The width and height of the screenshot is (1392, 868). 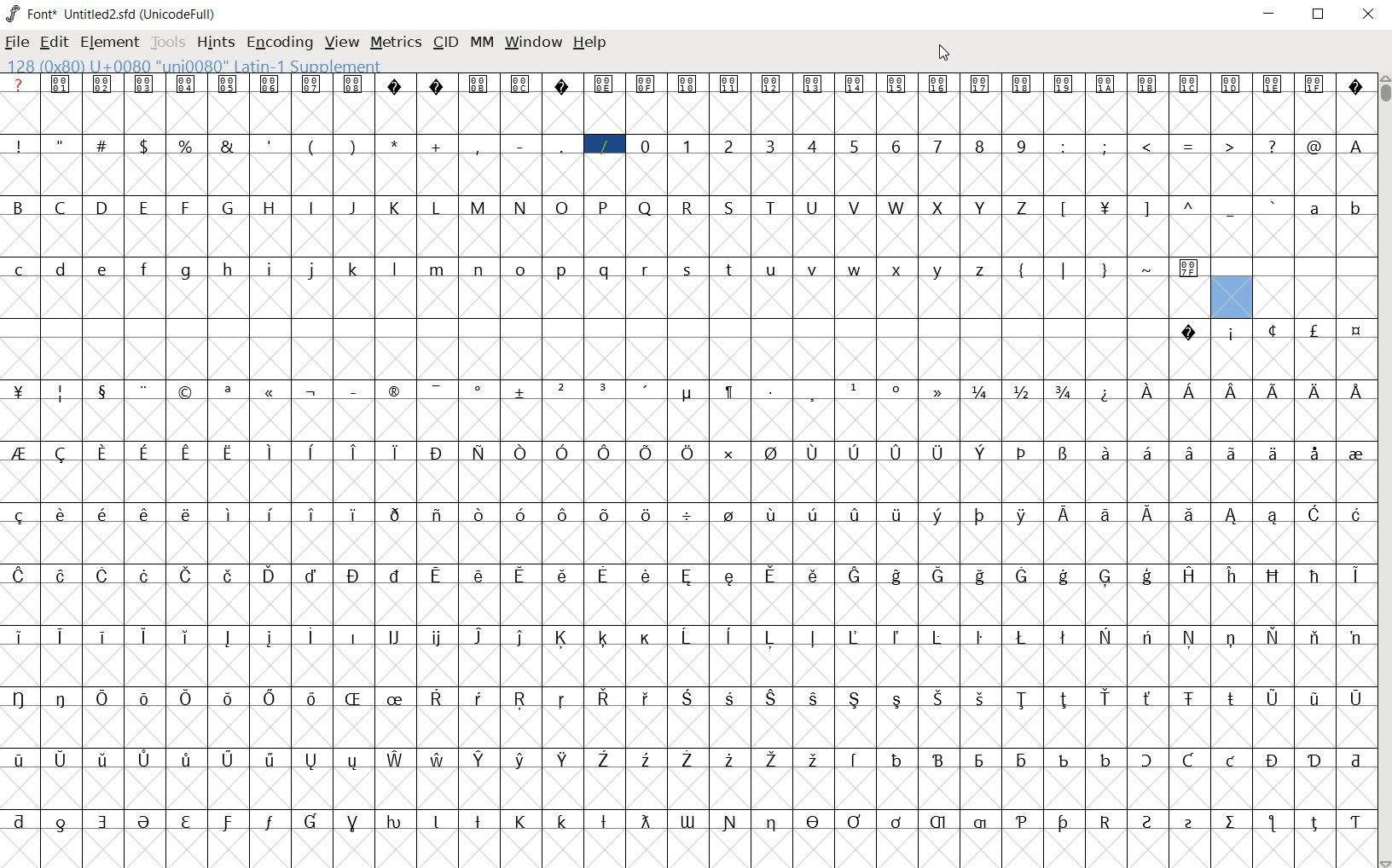 What do you see at coordinates (1022, 391) in the screenshot?
I see `glyph` at bounding box center [1022, 391].